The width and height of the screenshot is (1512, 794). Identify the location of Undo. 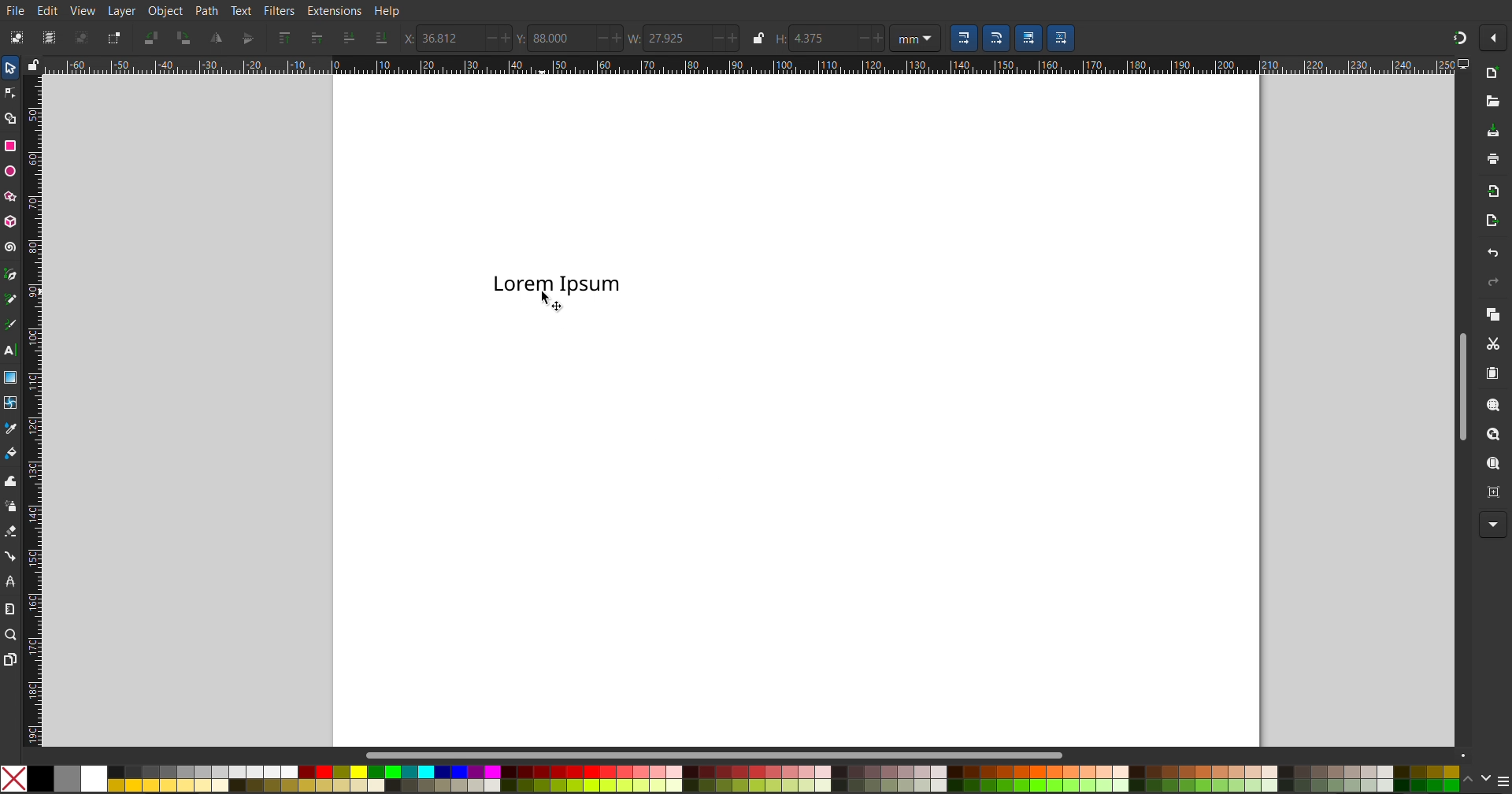
(1492, 253).